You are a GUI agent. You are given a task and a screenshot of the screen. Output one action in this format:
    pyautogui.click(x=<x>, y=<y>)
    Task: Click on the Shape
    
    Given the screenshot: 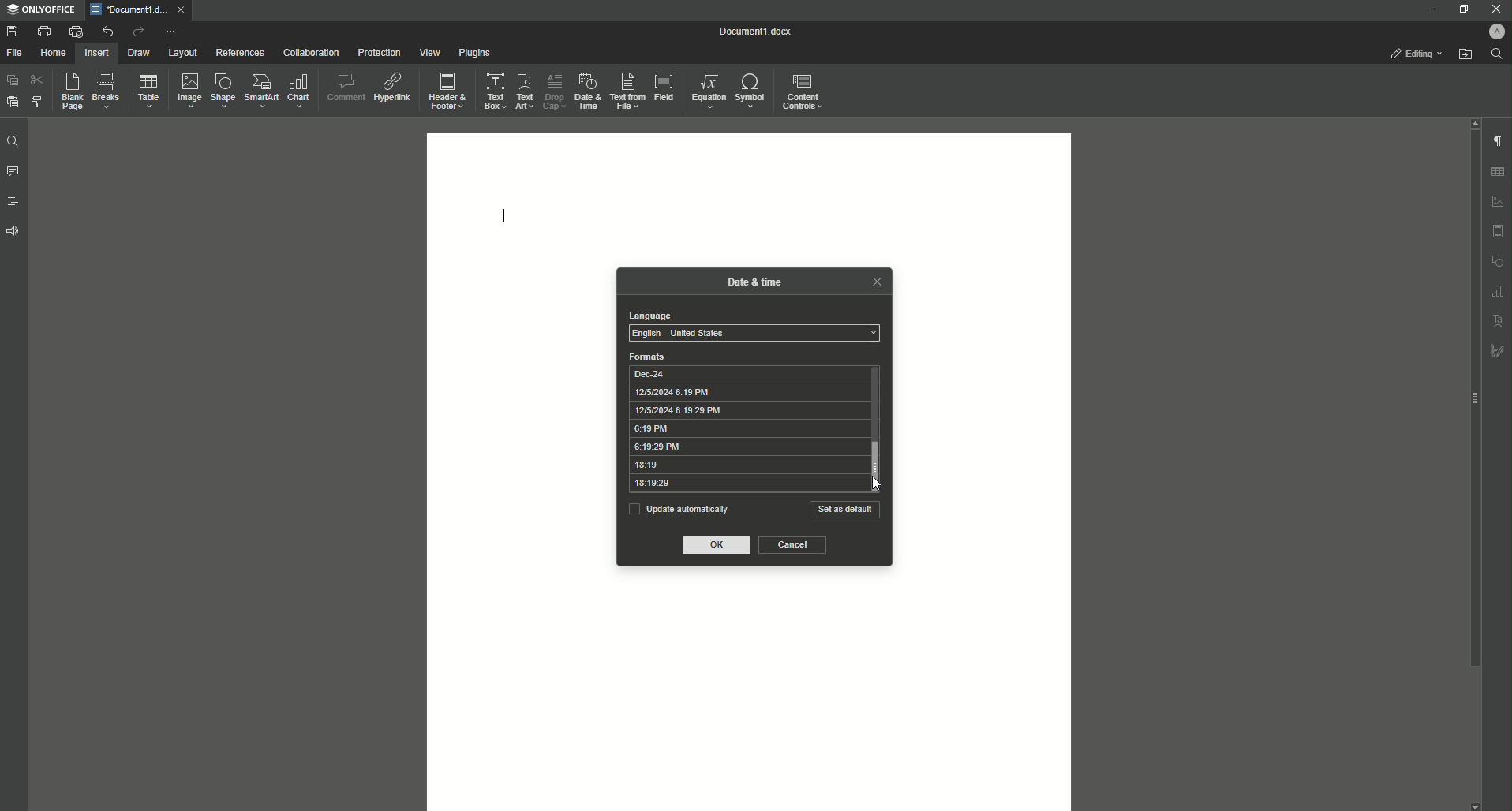 What is the action you would take?
    pyautogui.click(x=220, y=91)
    